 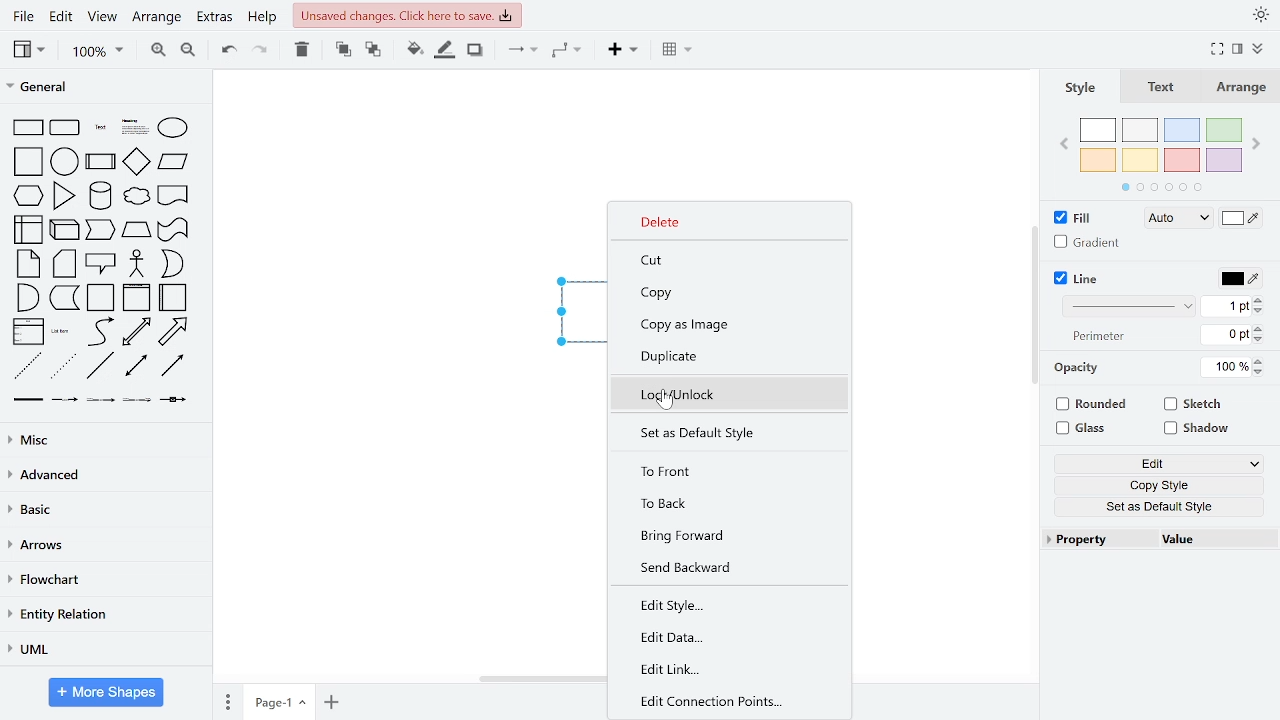 I want to click on basic, so click(x=105, y=512).